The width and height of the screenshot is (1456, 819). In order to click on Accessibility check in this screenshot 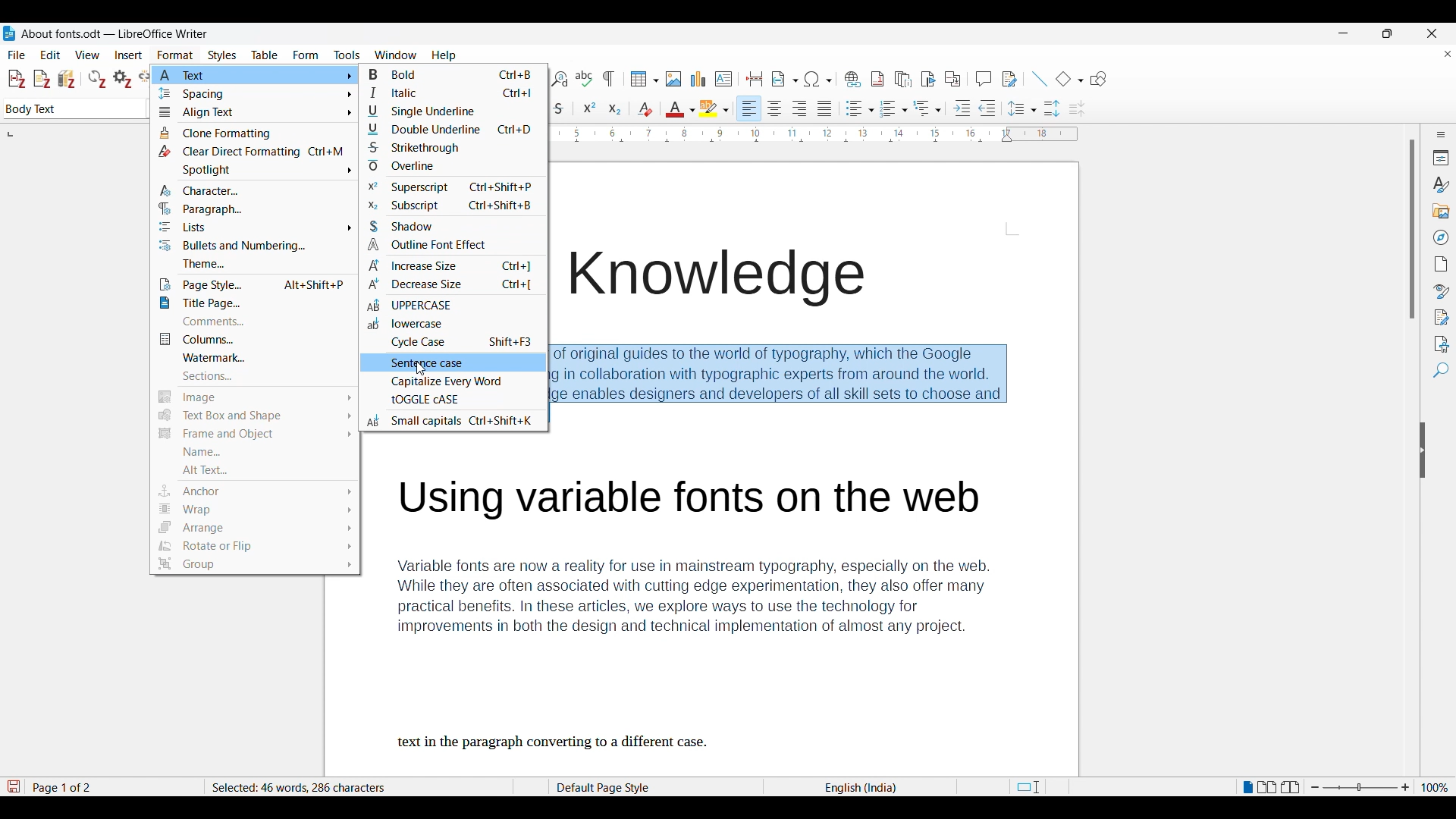, I will do `click(1442, 344)`.